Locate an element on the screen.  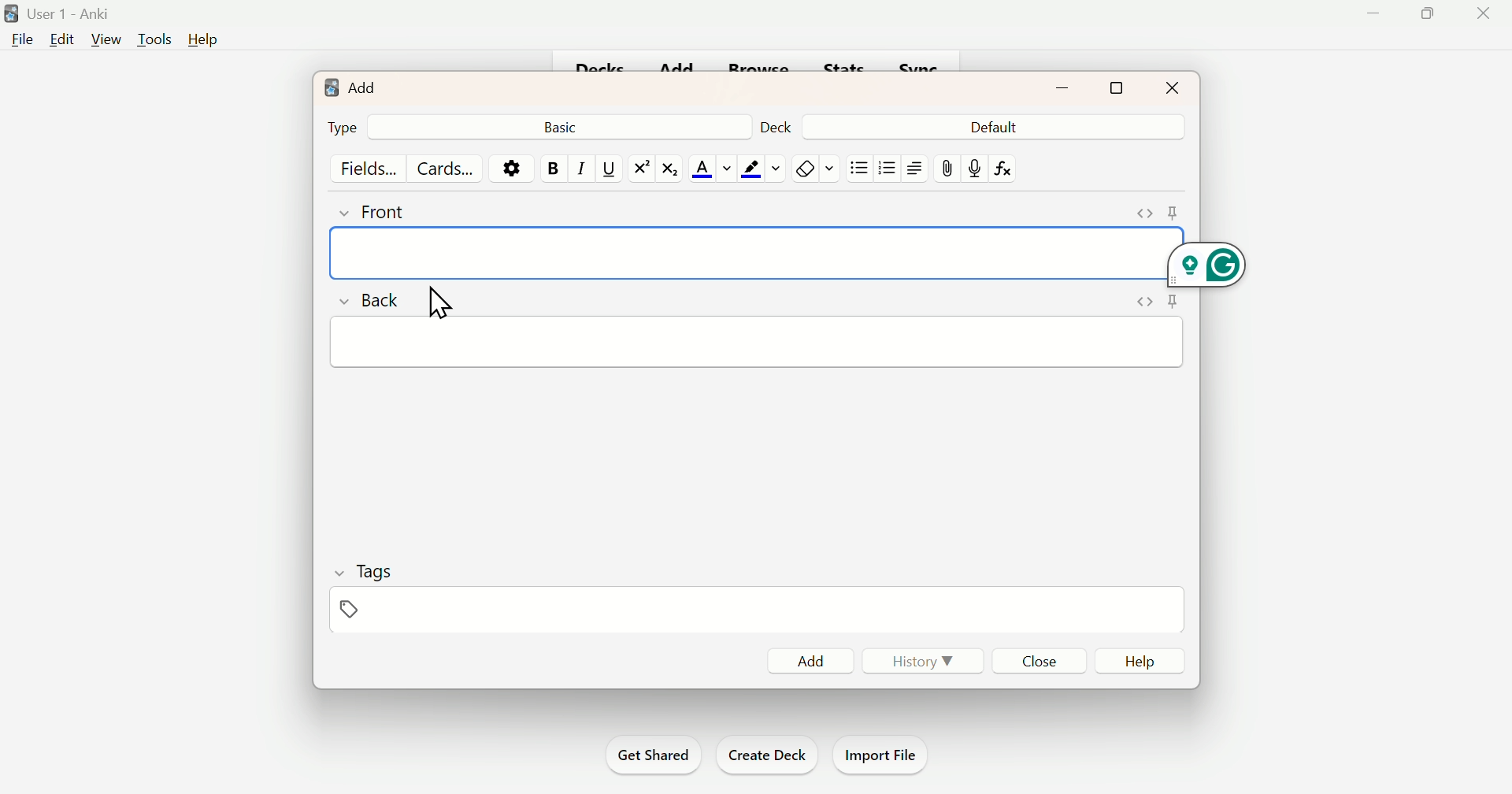
Bullets is located at coordinates (861, 167).